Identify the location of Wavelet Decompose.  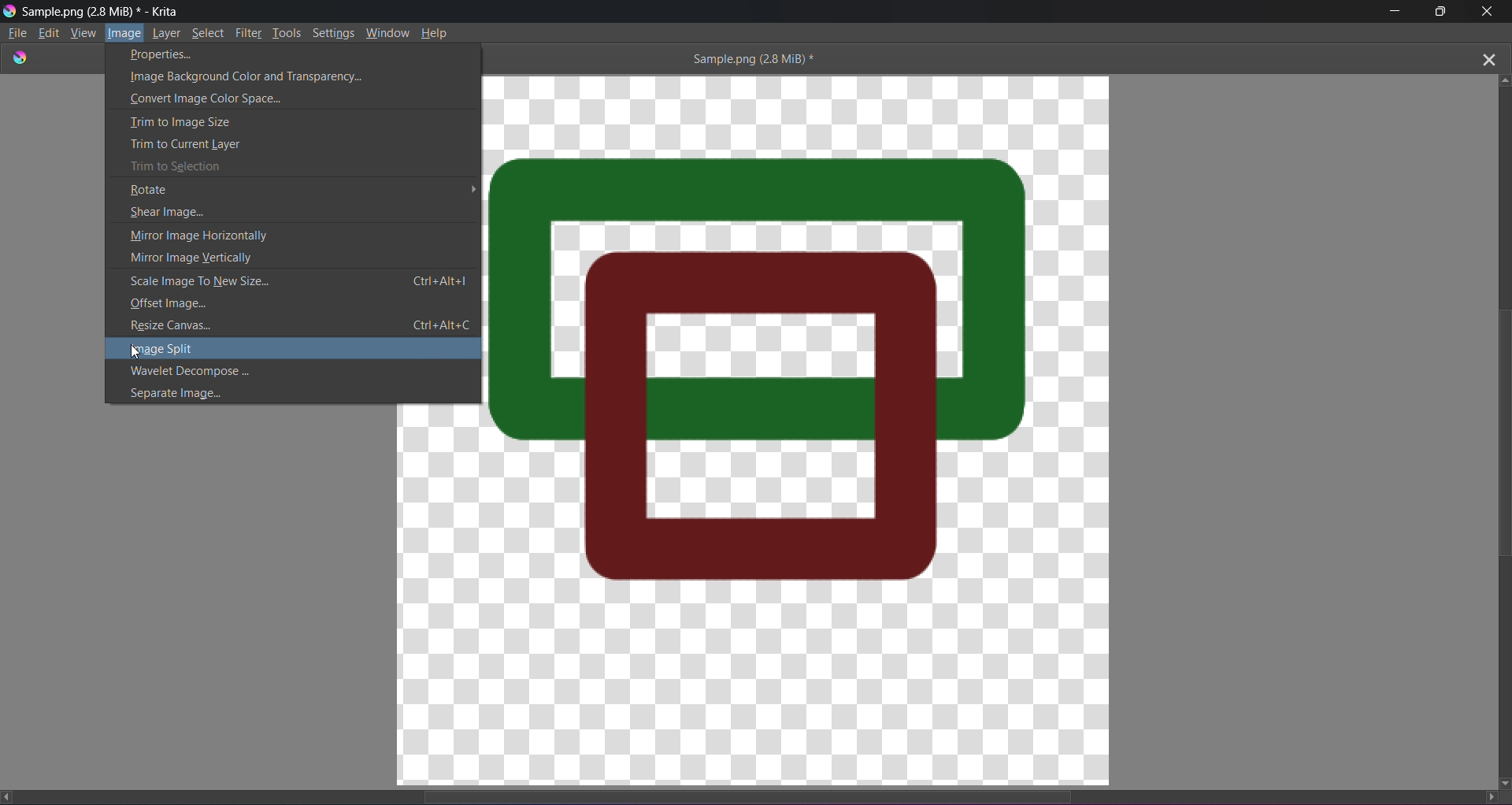
(295, 373).